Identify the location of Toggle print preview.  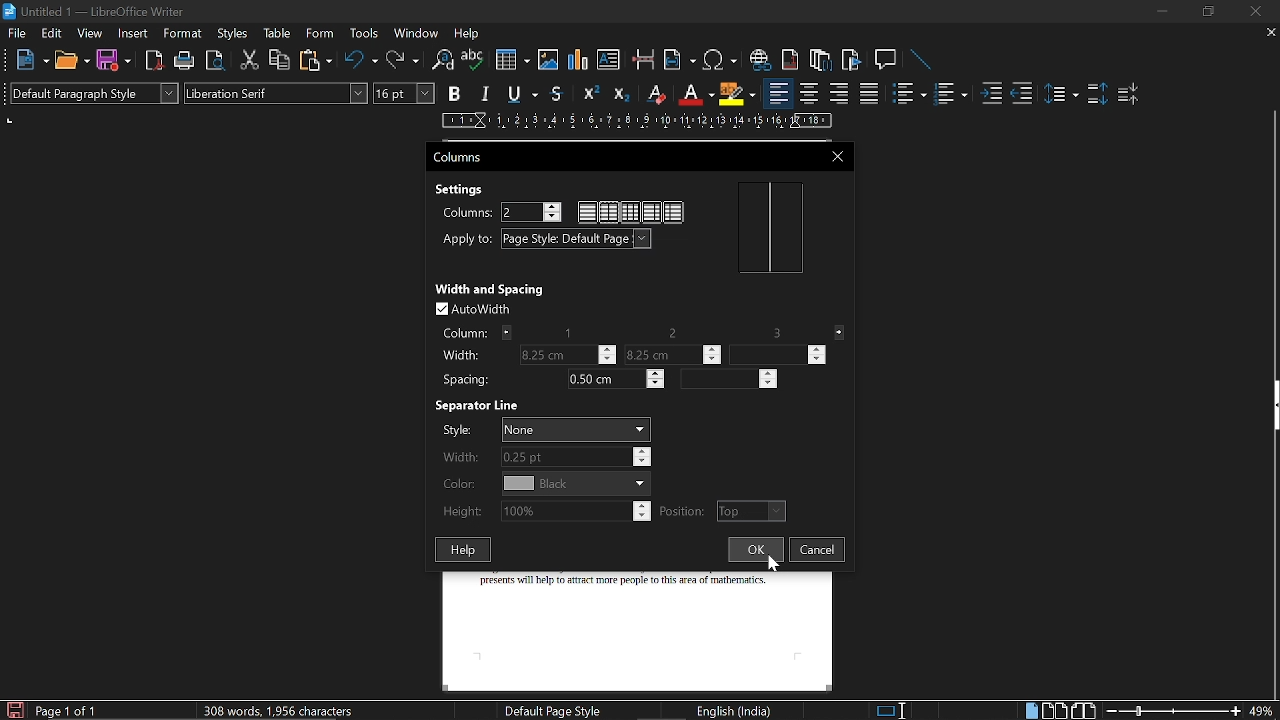
(218, 62).